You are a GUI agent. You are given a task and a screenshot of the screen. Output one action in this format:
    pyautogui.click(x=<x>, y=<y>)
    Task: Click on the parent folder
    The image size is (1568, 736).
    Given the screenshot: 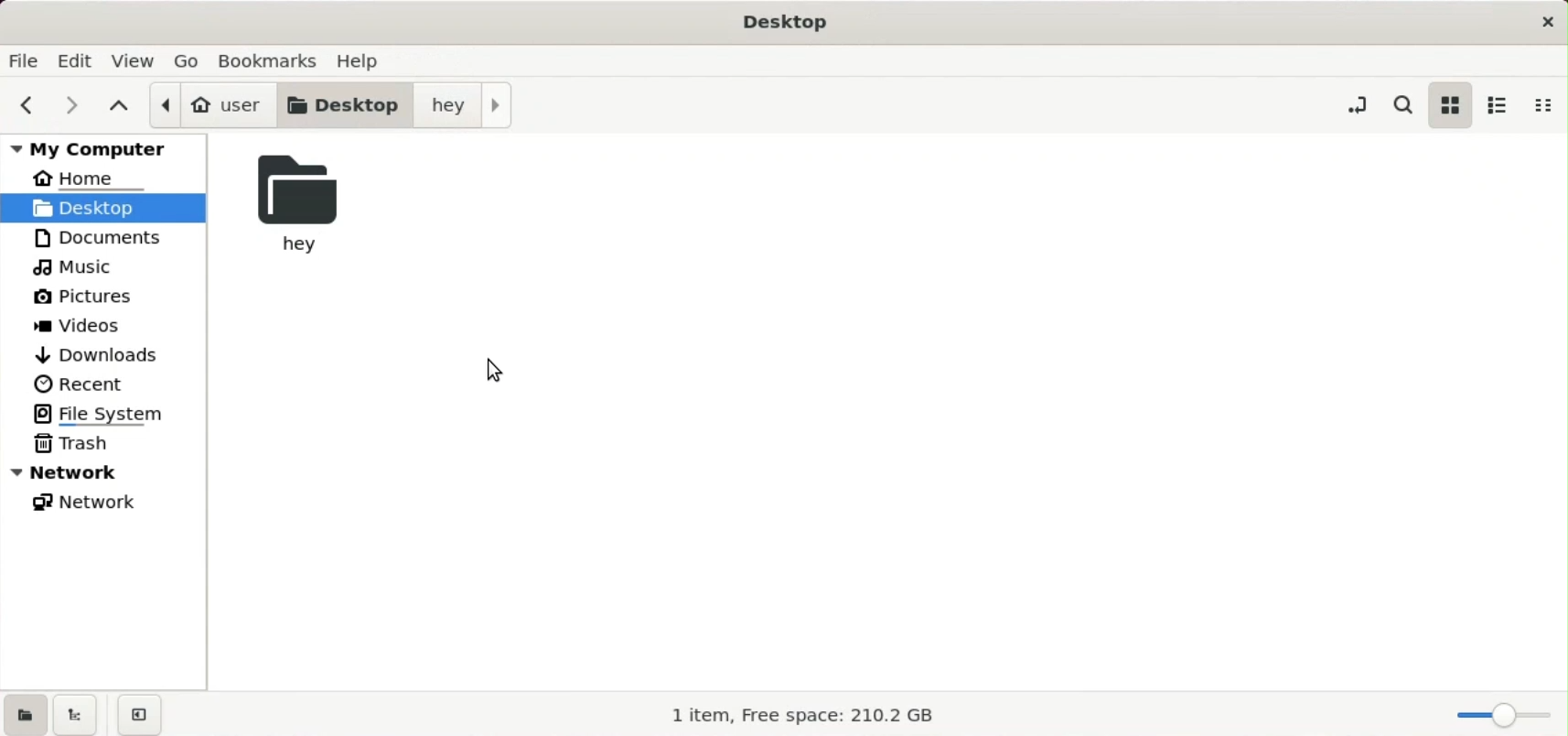 What is the action you would take?
    pyautogui.click(x=120, y=103)
    